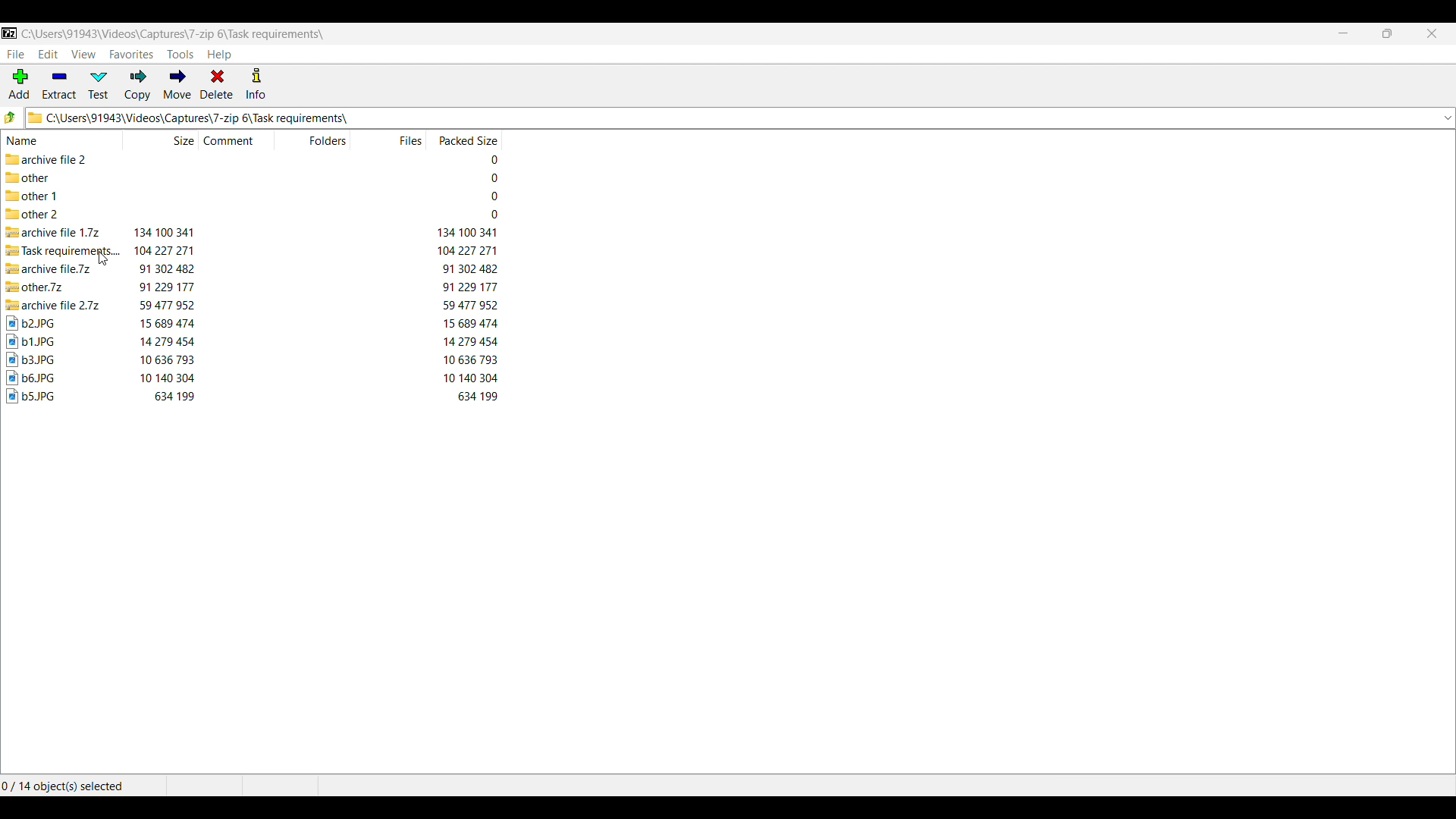  Describe the element at coordinates (50, 268) in the screenshot. I see `compressed file` at that location.